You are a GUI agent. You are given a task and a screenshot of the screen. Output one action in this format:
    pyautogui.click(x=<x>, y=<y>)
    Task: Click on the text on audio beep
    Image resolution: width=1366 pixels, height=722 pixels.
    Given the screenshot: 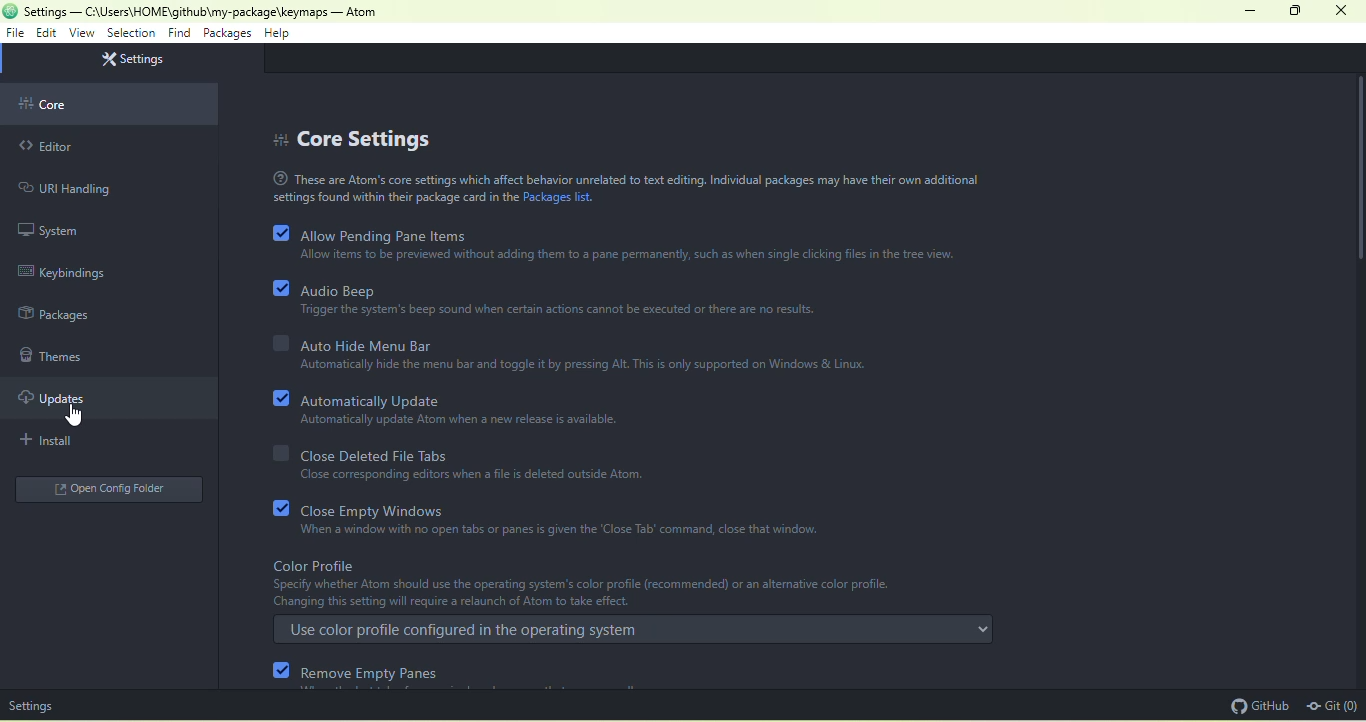 What is the action you would take?
    pyautogui.click(x=555, y=309)
    